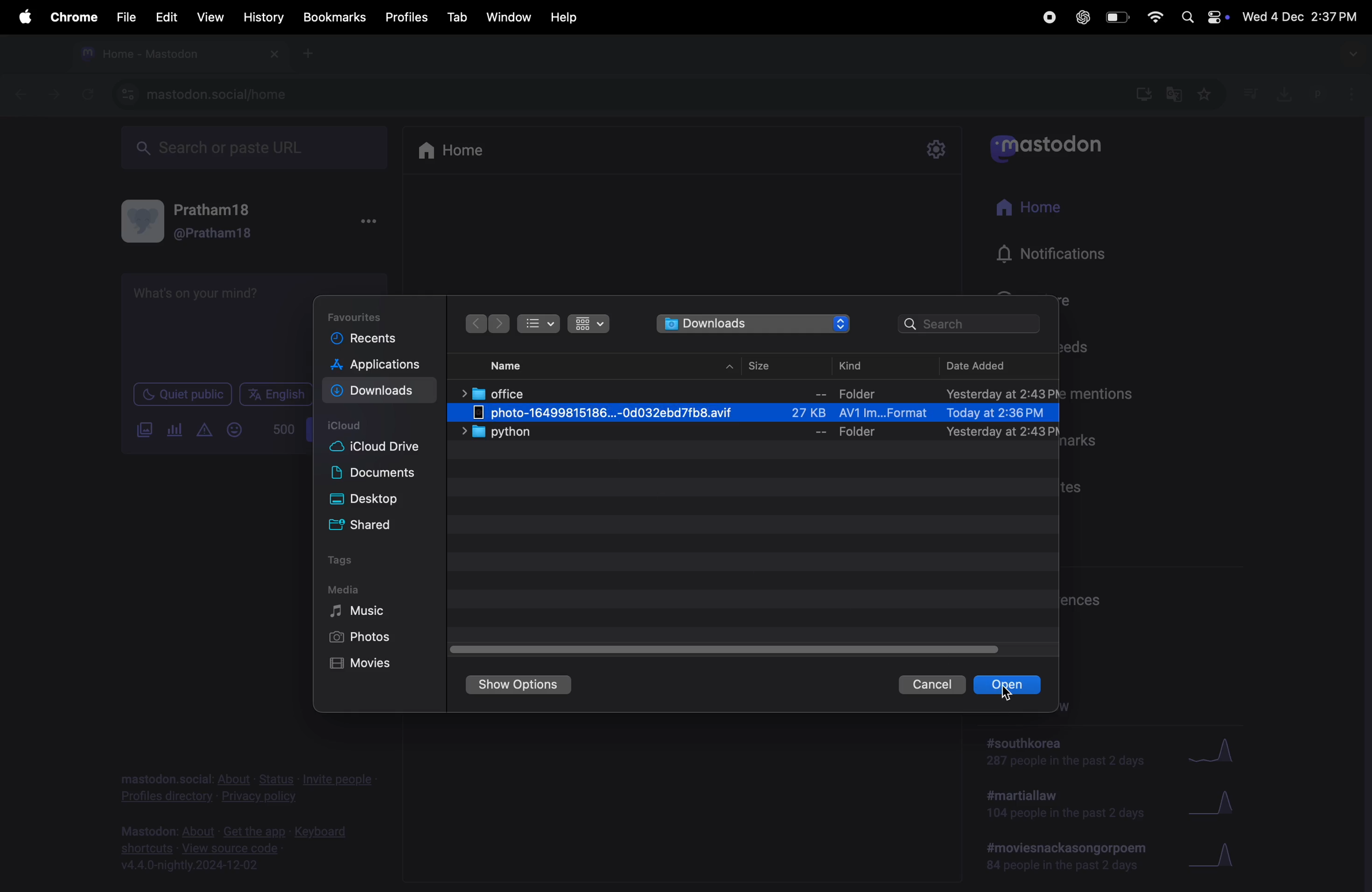  I want to click on notifications, so click(1058, 255).